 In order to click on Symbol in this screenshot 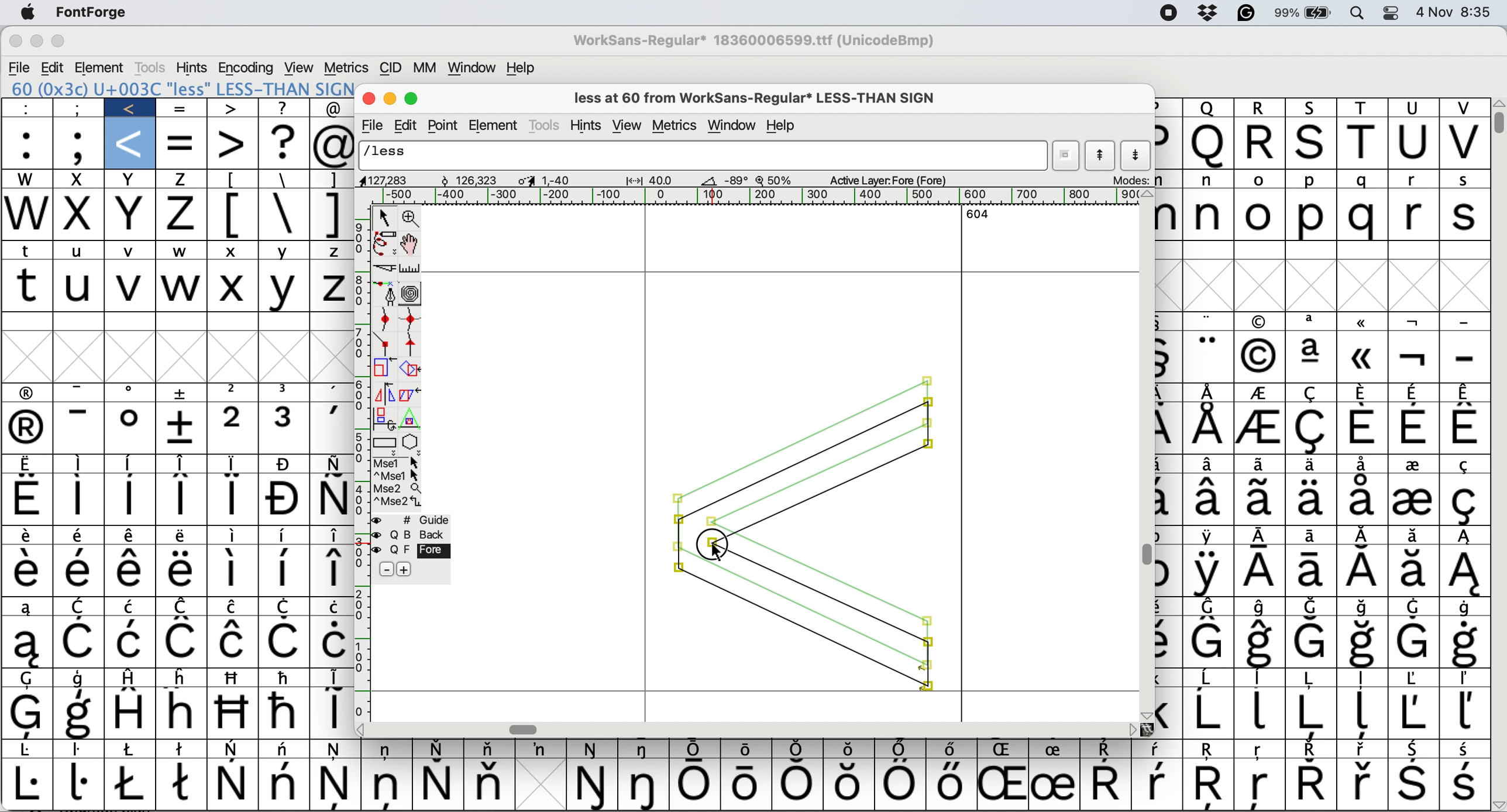, I will do `click(184, 607)`.